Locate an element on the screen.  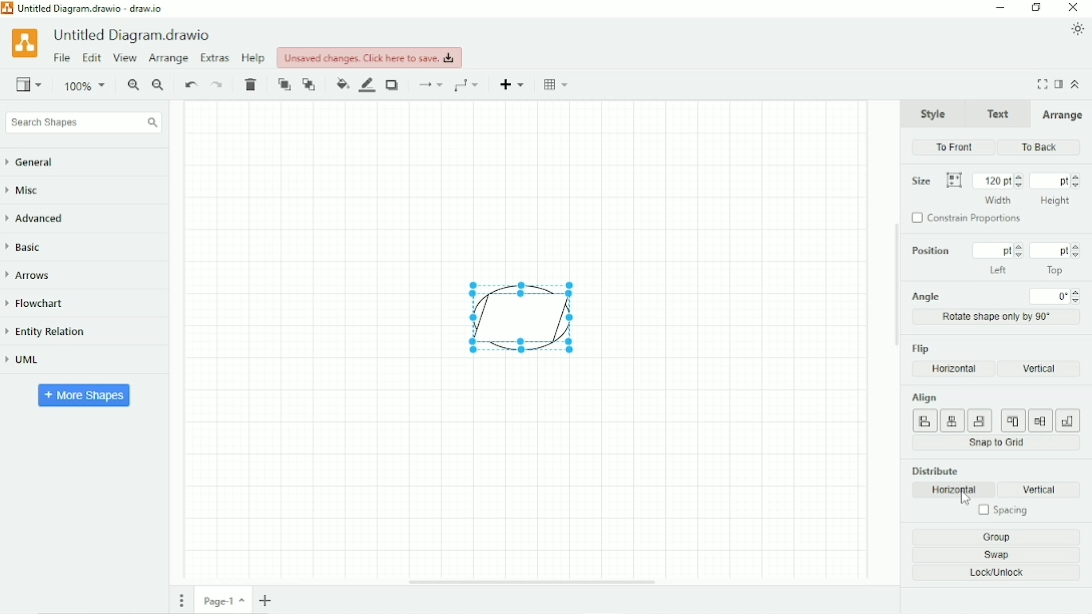
Basic is located at coordinates (28, 246).